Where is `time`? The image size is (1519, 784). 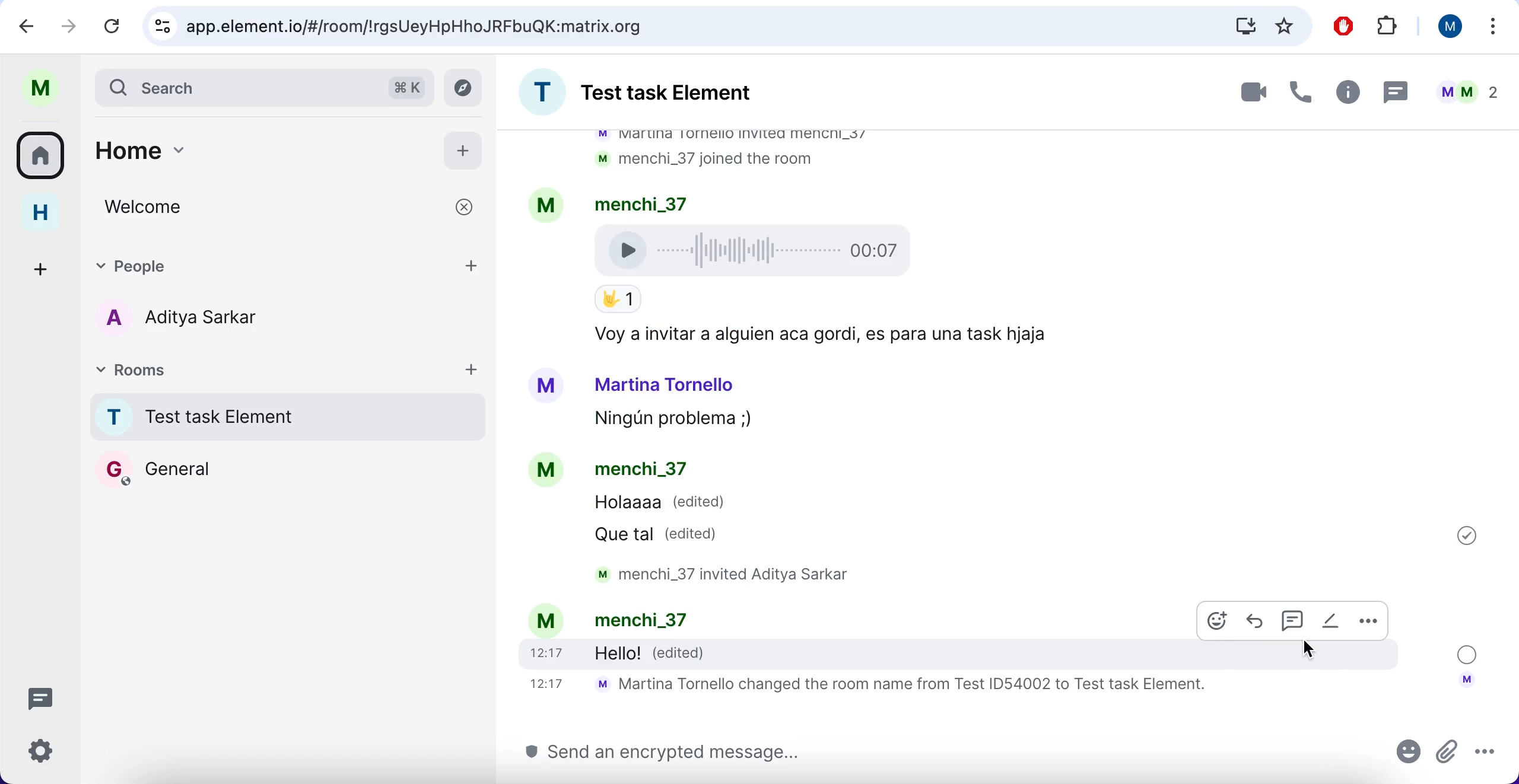
time is located at coordinates (542, 653).